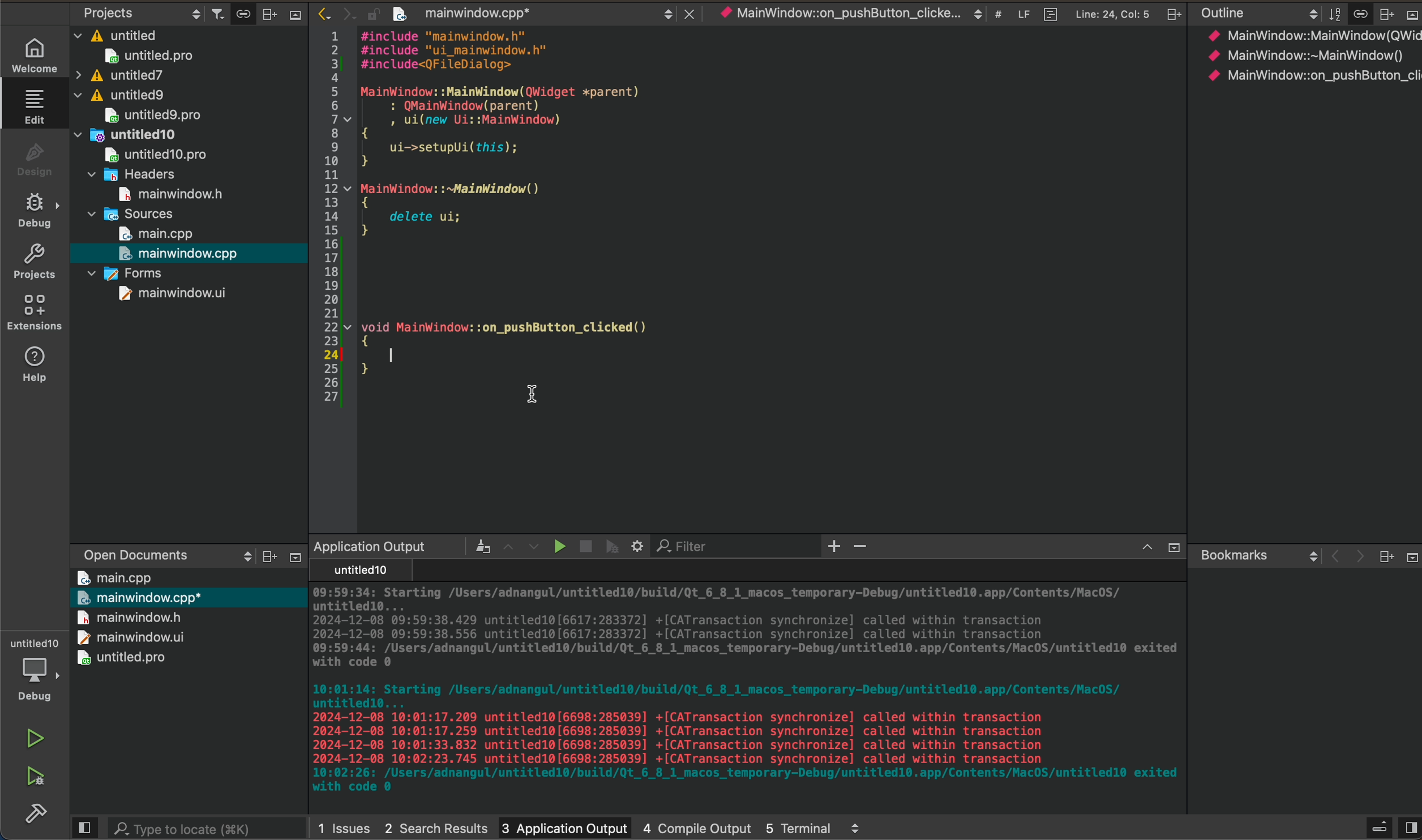 The image size is (1422, 840). What do you see at coordinates (34, 781) in the screenshot?
I see `run and debug` at bounding box center [34, 781].